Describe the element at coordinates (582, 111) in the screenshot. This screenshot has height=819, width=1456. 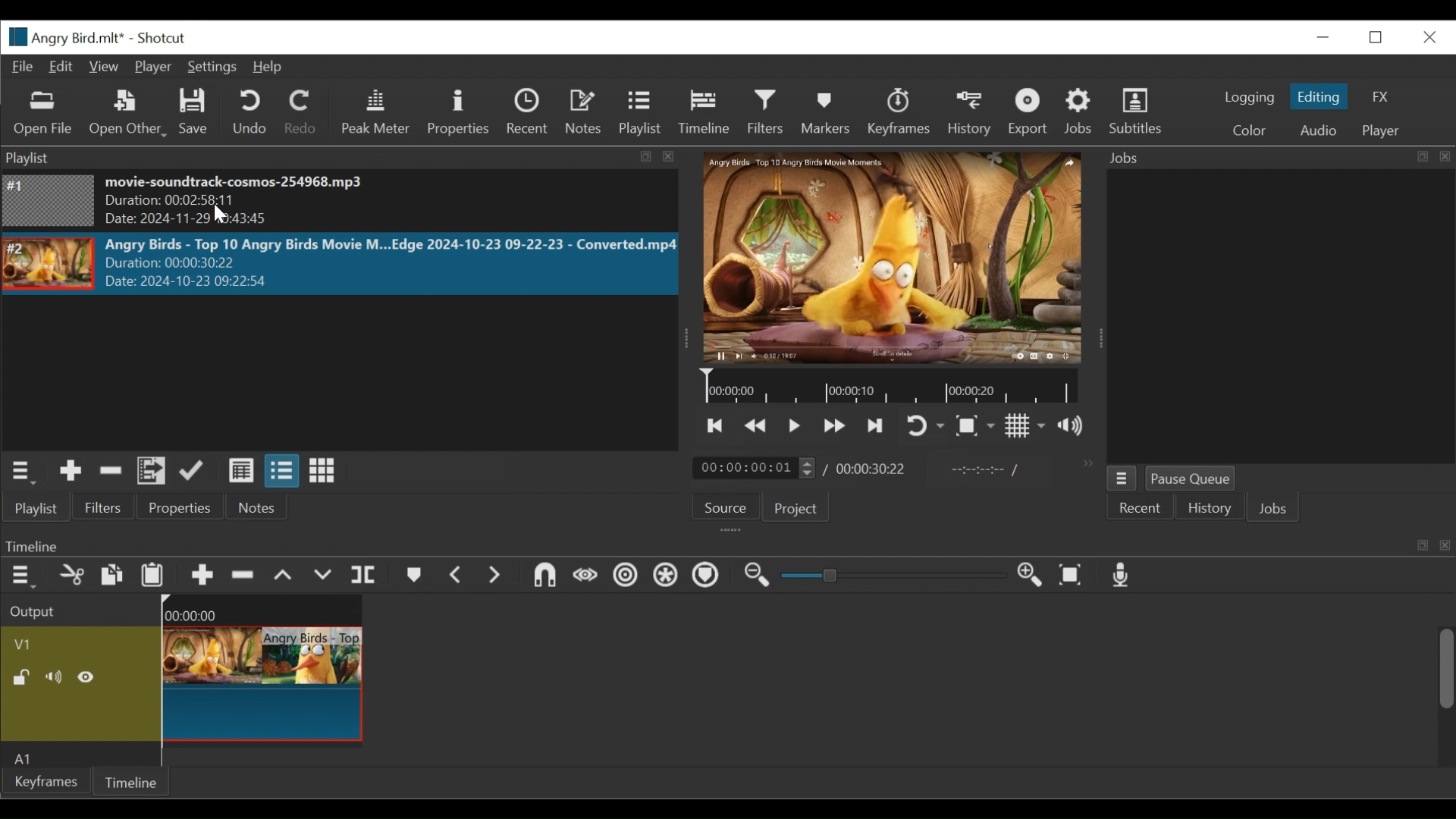
I see `Notes` at that location.